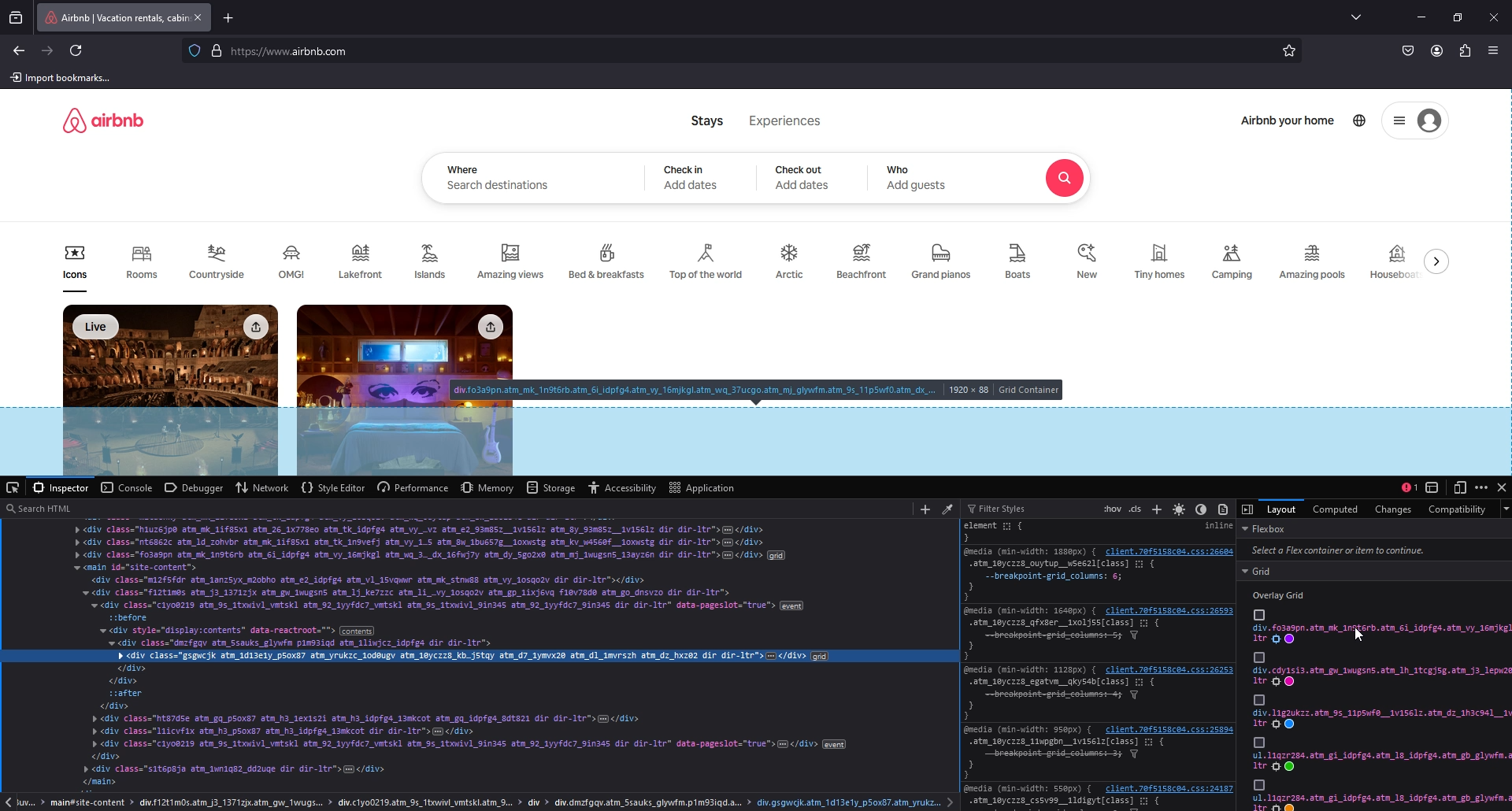 Image resolution: width=1512 pixels, height=811 pixels. What do you see at coordinates (1380, 761) in the screenshot?
I see `grid css` at bounding box center [1380, 761].